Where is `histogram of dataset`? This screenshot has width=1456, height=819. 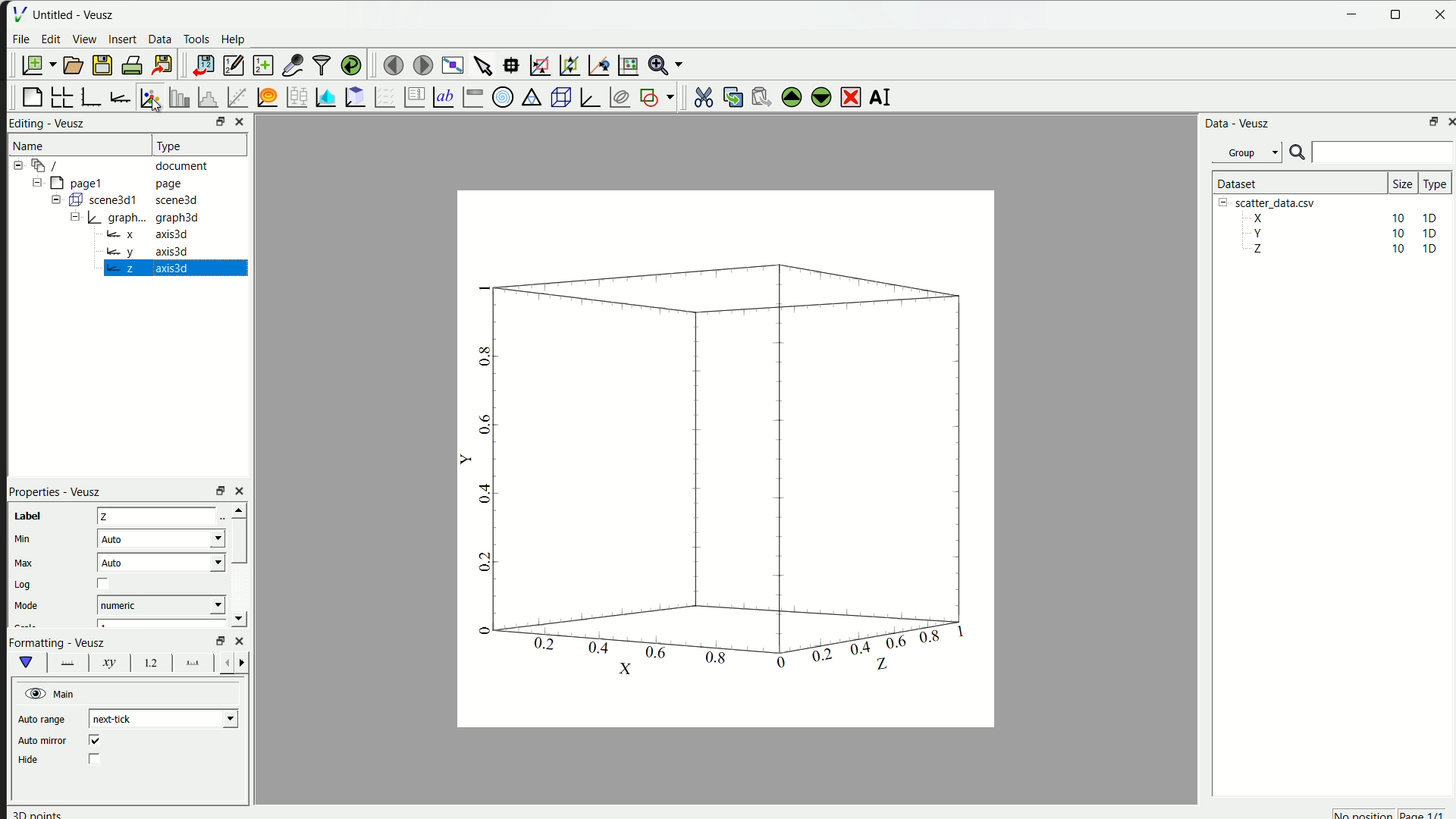
histogram of dataset is located at coordinates (205, 97).